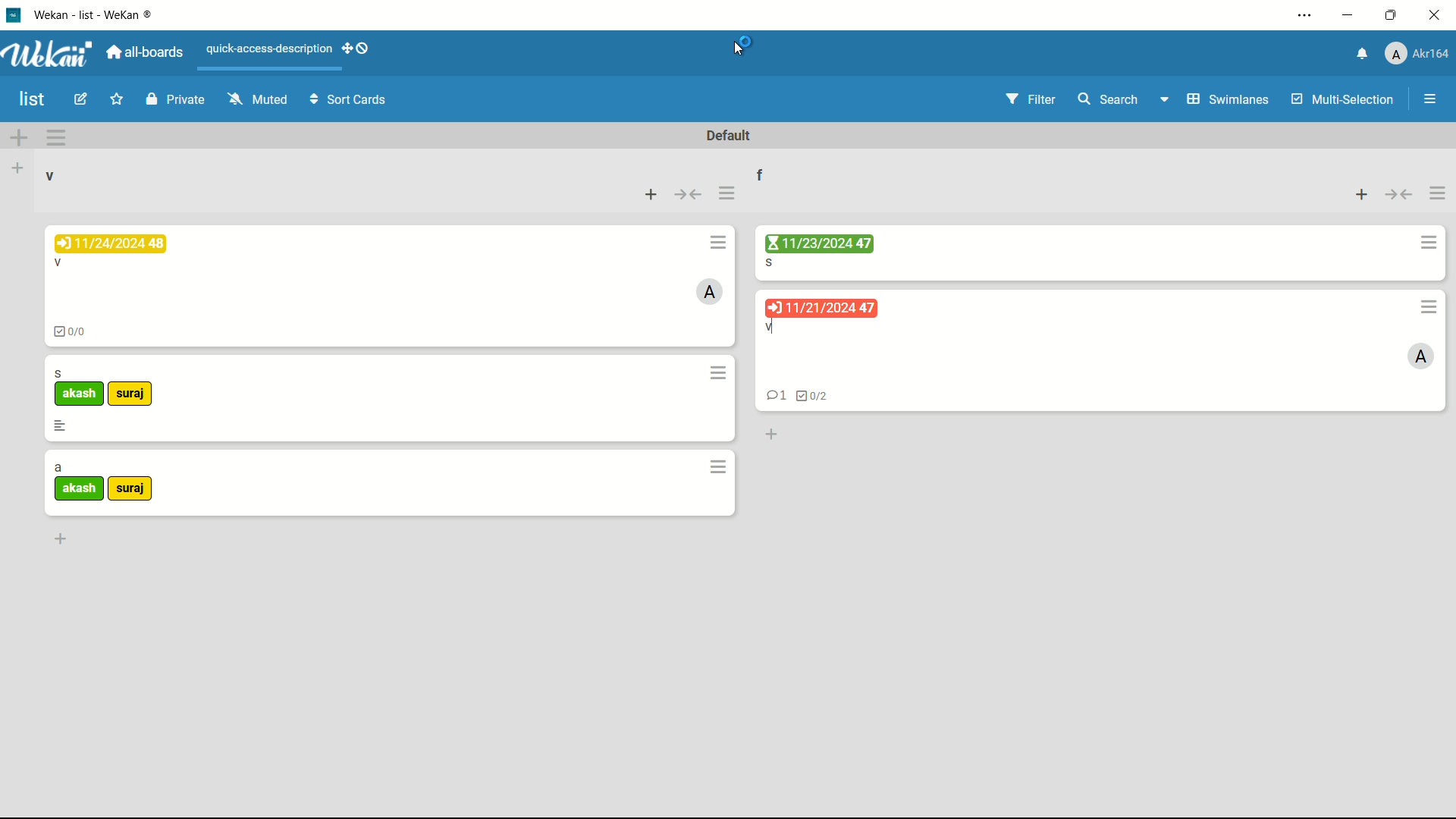 The width and height of the screenshot is (1456, 819). What do you see at coordinates (822, 309) in the screenshot?
I see `due date` at bounding box center [822, 309].